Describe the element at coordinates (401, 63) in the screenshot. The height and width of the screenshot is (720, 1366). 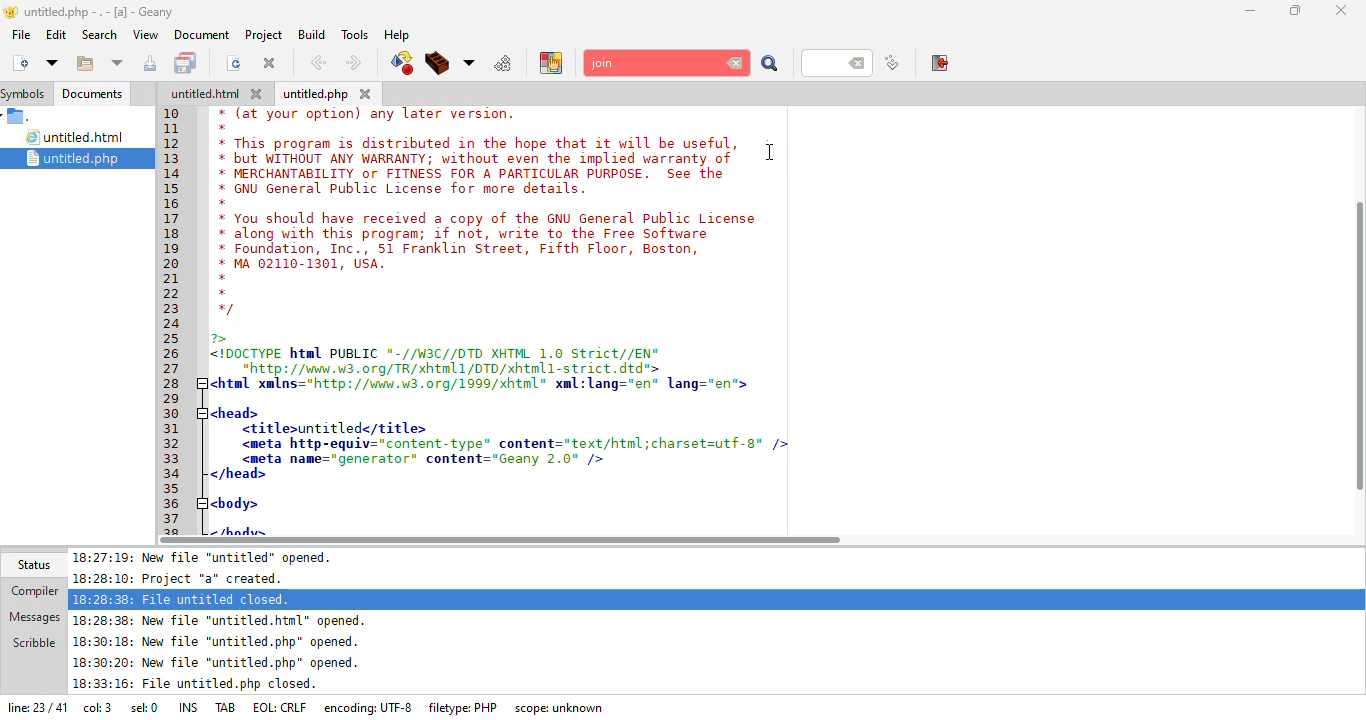
I see `compile` at that location.